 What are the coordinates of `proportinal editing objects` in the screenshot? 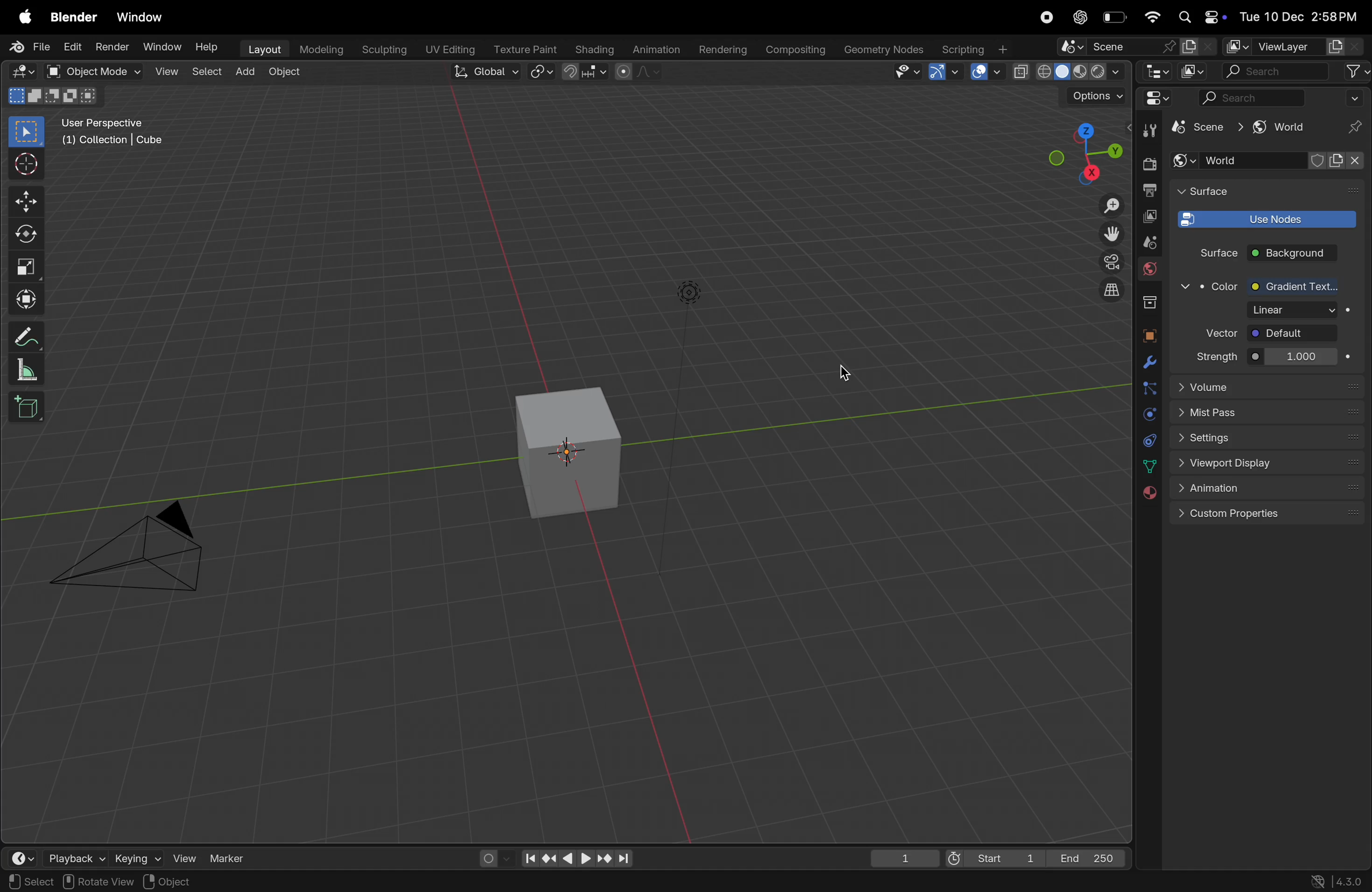 It's located at (639, 74).